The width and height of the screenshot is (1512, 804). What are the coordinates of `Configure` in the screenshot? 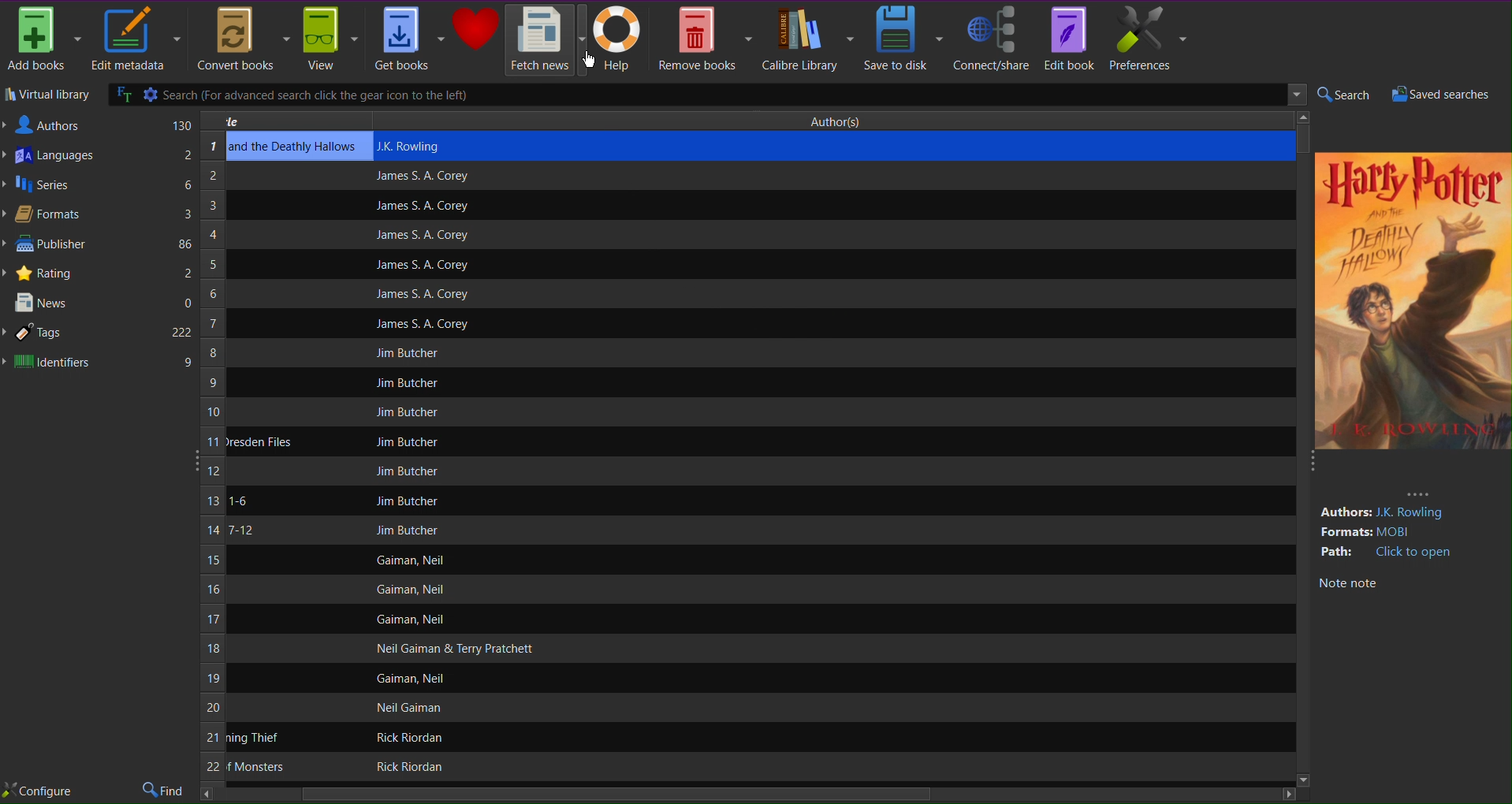 It's located at (38, 791).